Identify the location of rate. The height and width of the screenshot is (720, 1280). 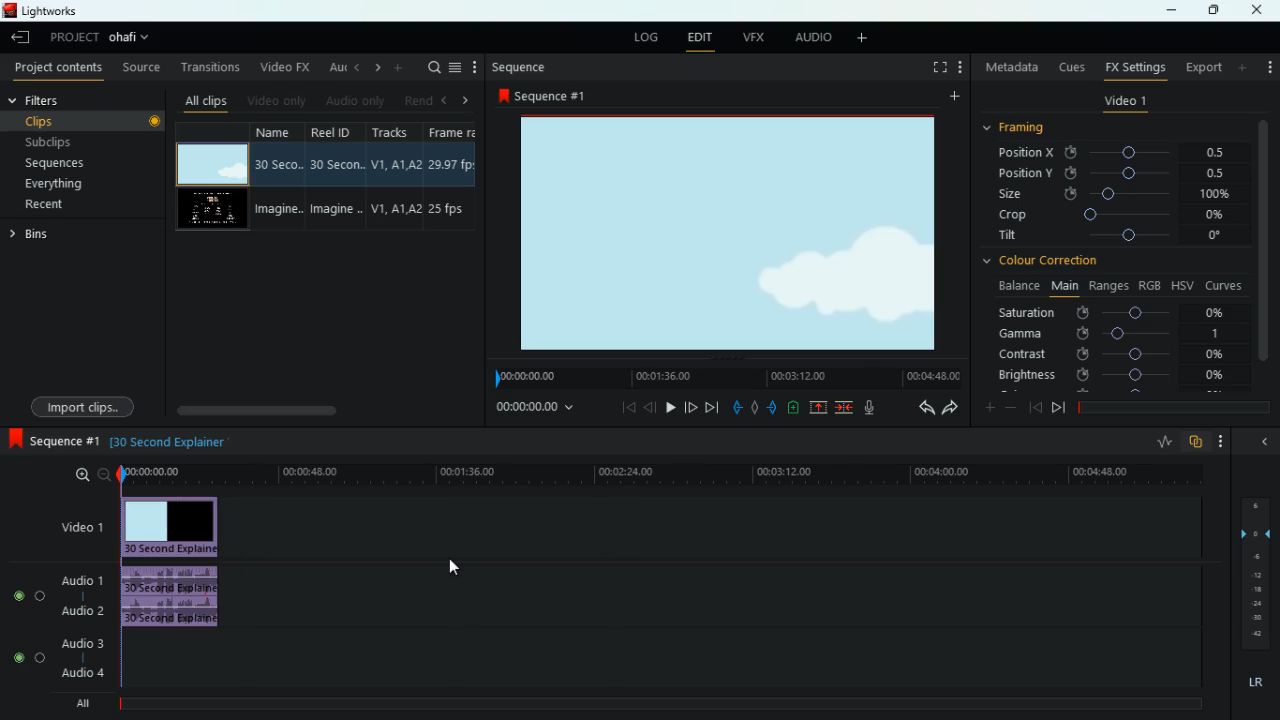
(1161, 444).